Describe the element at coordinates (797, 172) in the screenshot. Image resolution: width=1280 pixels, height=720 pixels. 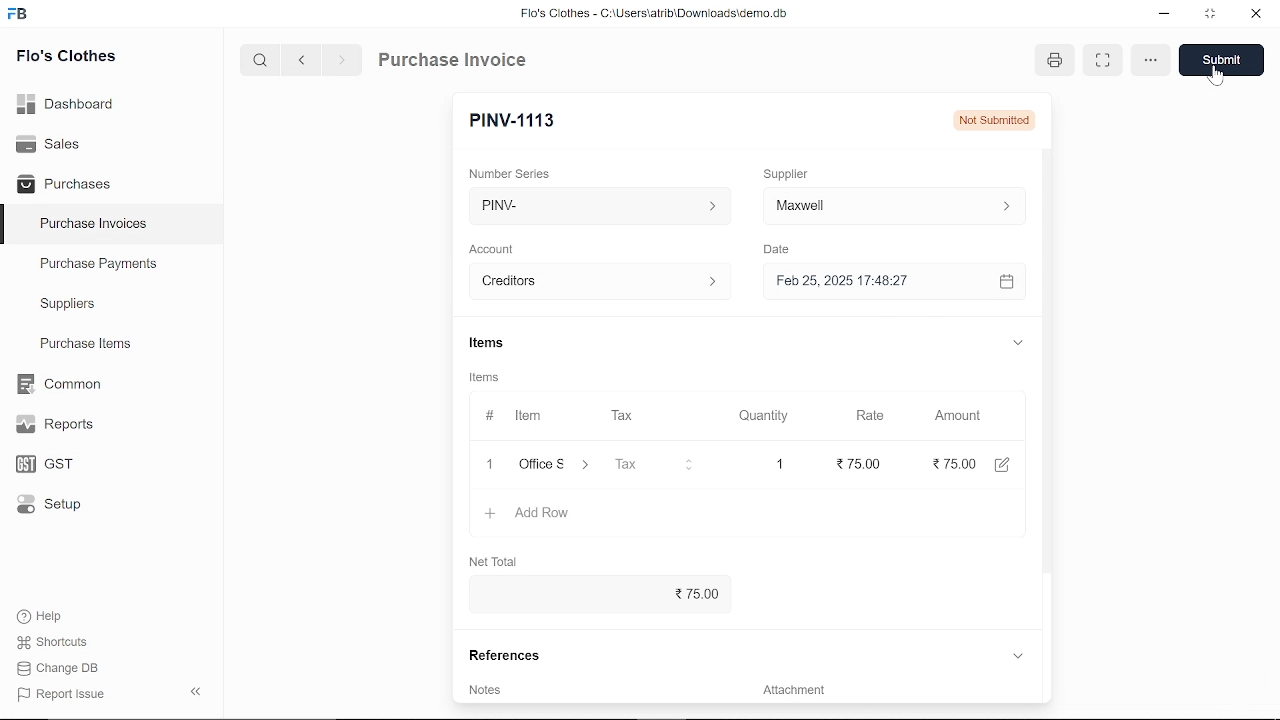
I see `Supplier` at that location.